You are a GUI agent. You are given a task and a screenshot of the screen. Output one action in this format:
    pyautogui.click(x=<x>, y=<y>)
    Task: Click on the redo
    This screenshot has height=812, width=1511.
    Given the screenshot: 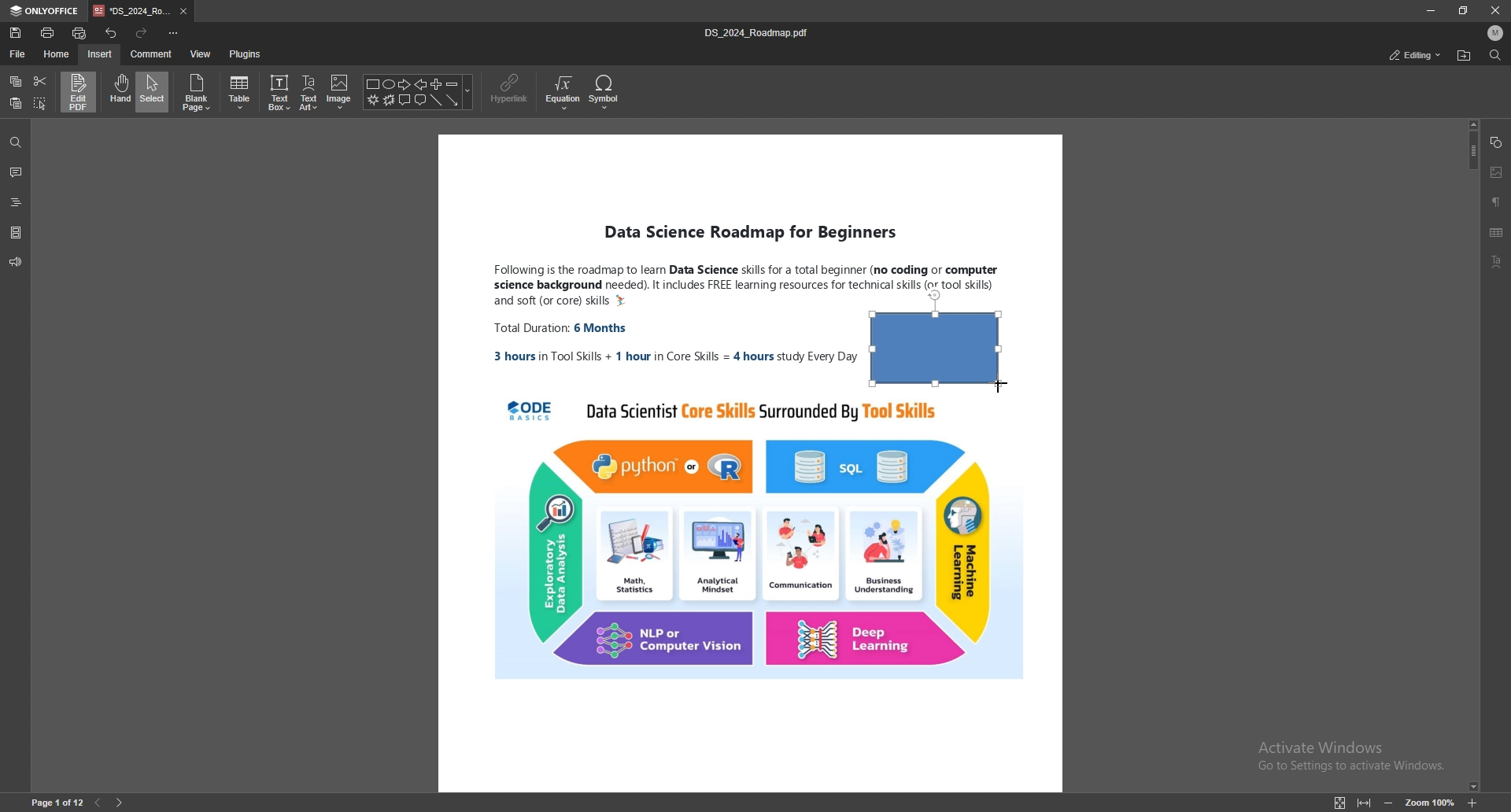 What is the action you would take?
    pyautogui.click(x=142, y=32)
    